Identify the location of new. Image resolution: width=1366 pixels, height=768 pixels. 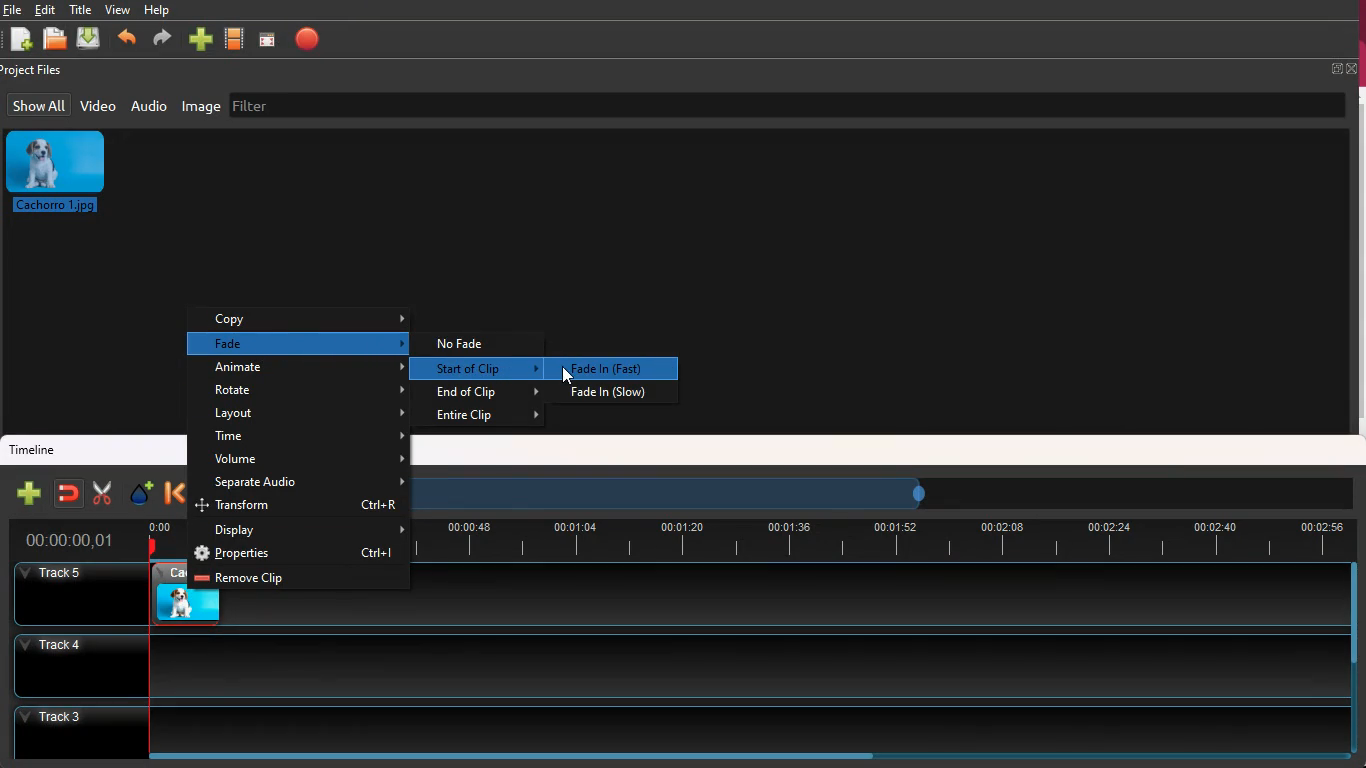
(29, 493).